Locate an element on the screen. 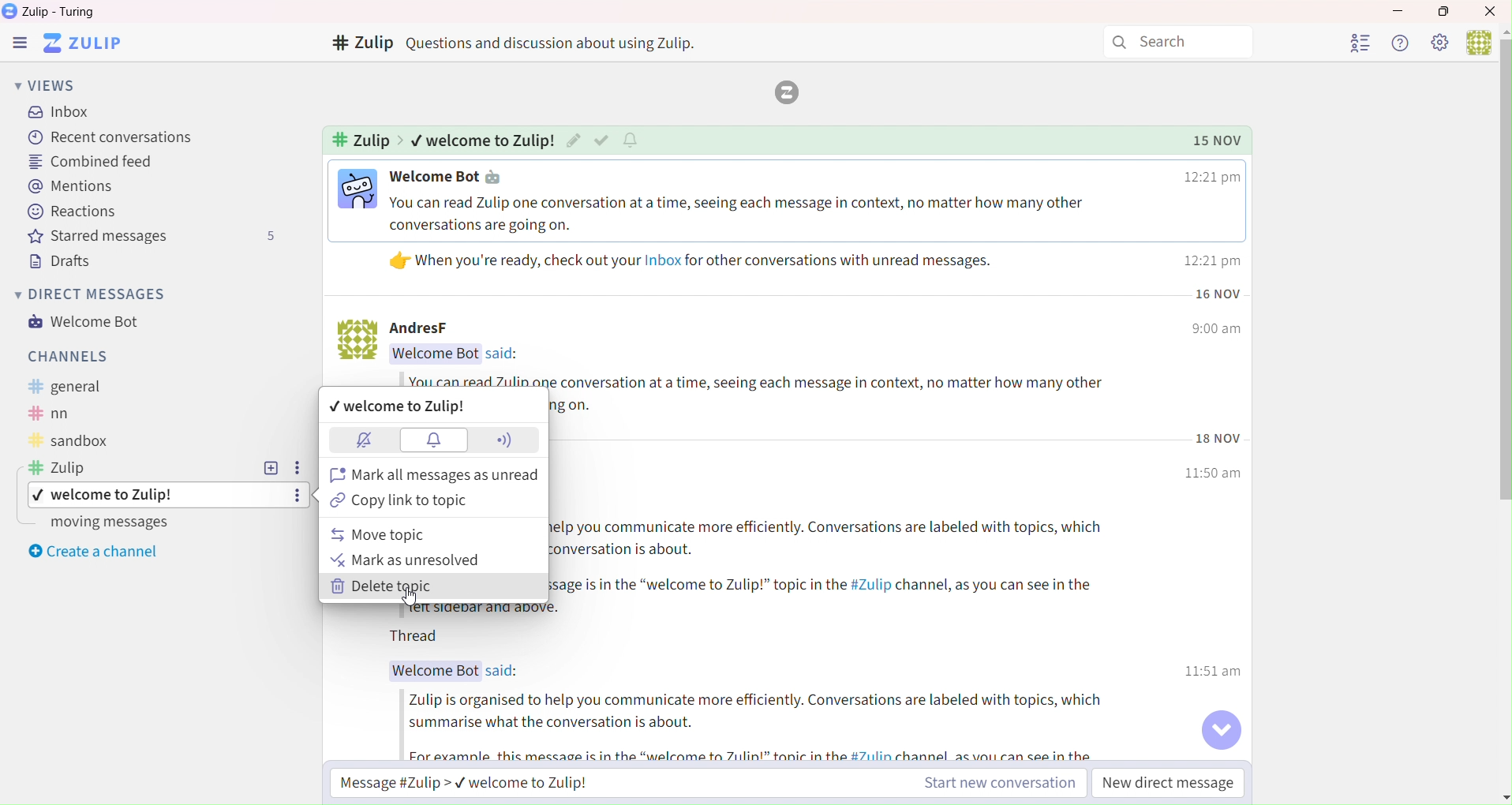 This screenshot has width=1512, height=805. Mentions is located at coordinates (69, 186).